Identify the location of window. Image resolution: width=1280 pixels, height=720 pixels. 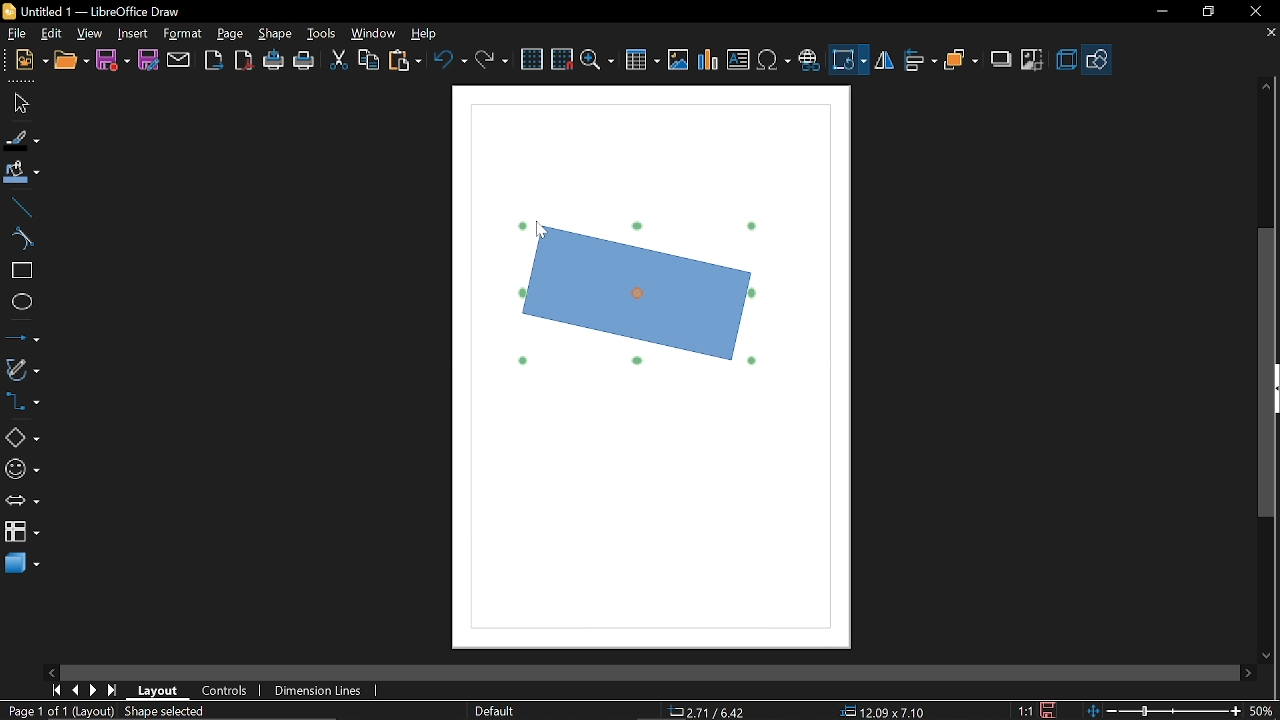
(374, 36).